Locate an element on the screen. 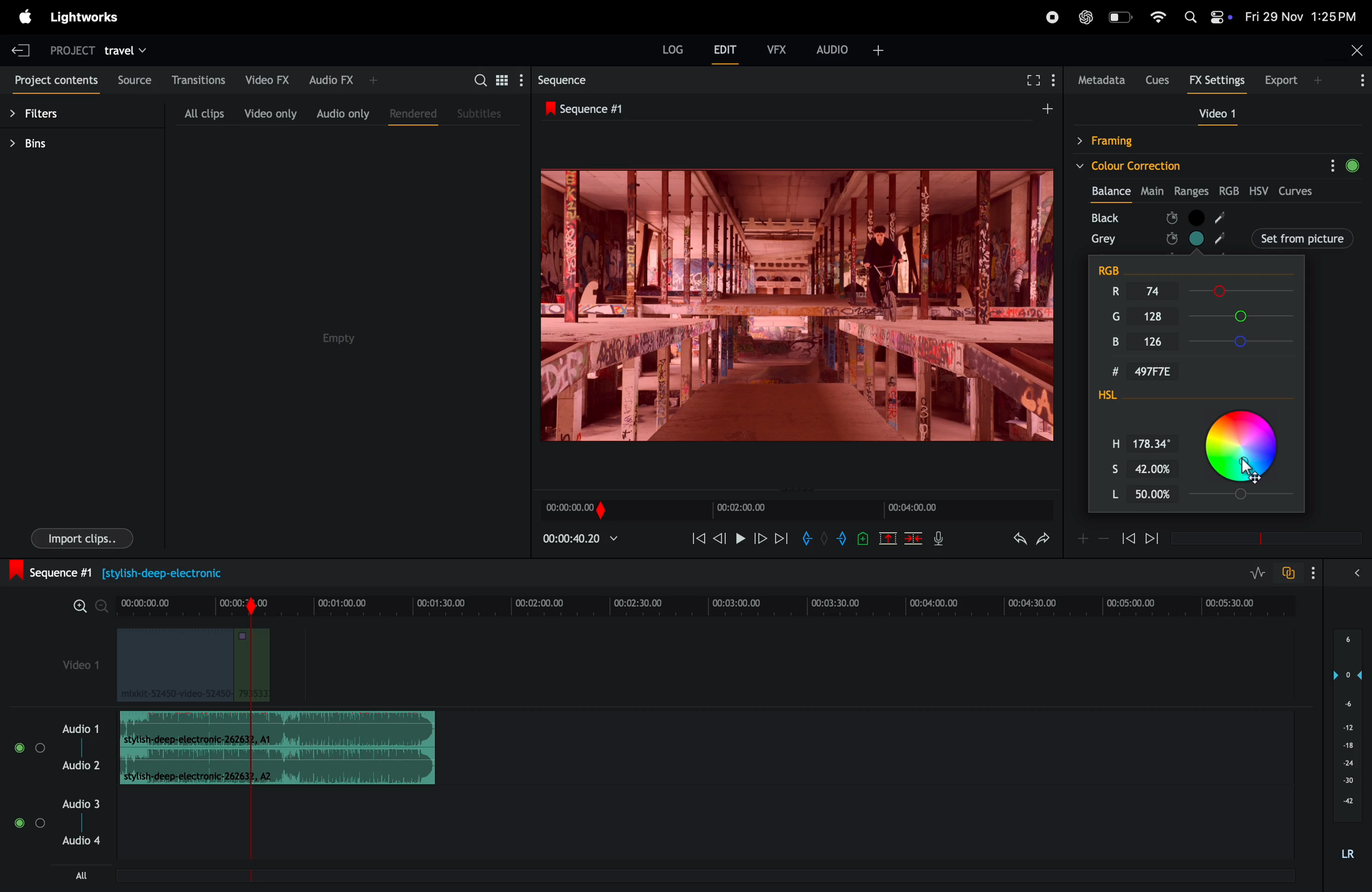  travel is located at coordinates (128, 50).